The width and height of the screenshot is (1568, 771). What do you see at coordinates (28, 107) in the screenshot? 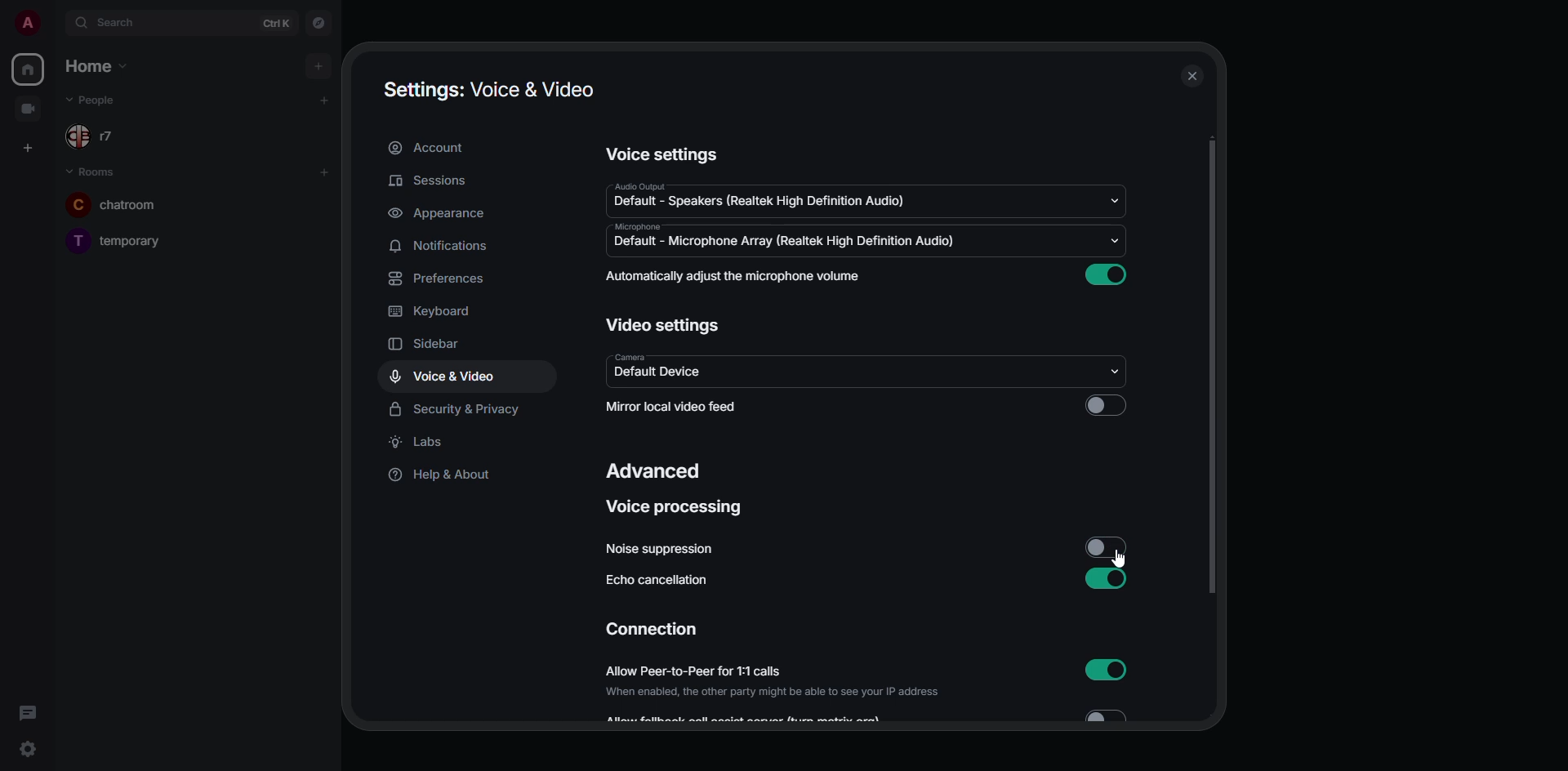
I see `video room` at bounding box center [28, 107].